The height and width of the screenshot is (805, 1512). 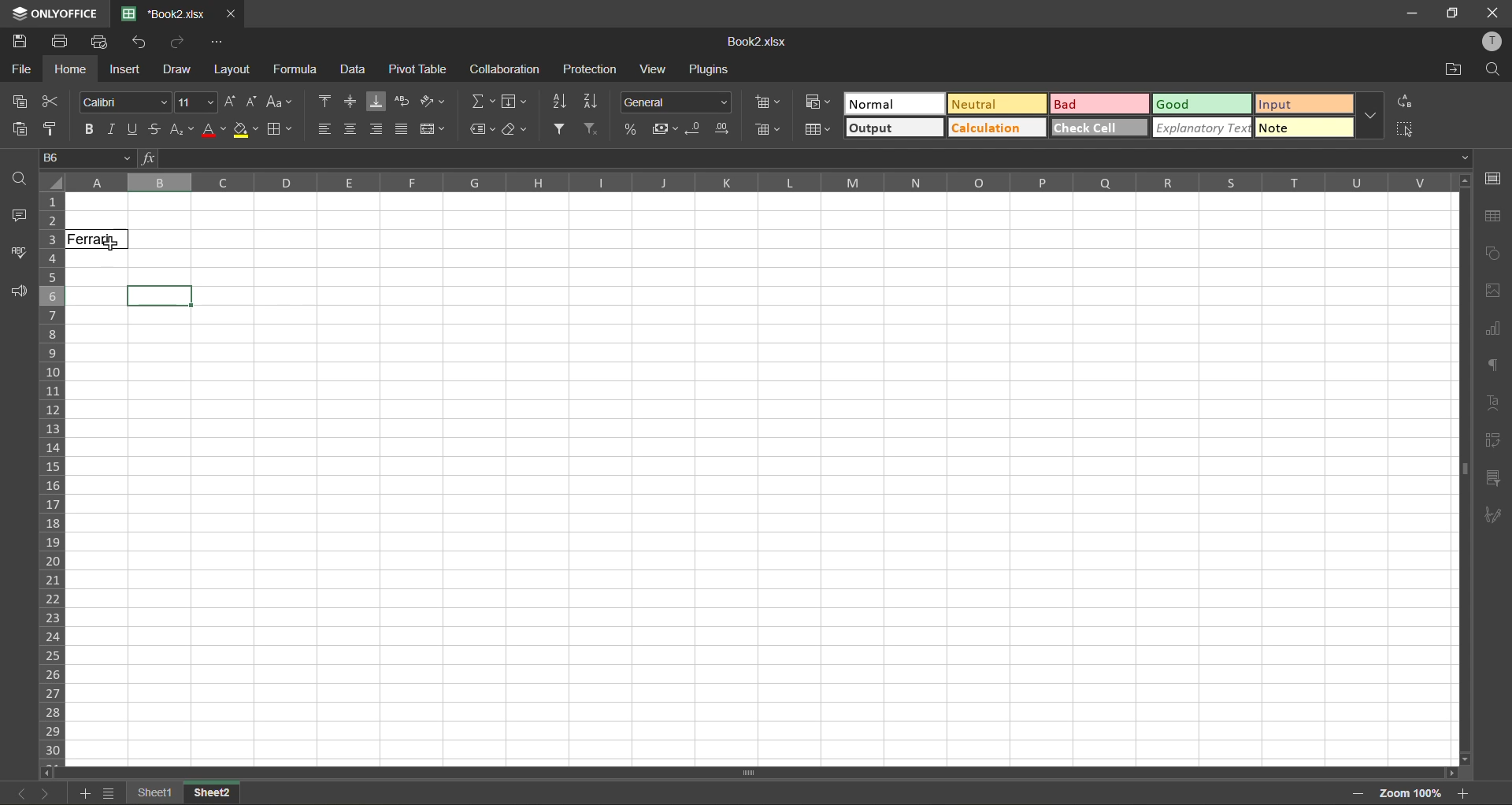 What do you see at coordinates (1462, 793) in the screenshot?
I see `zoom in` at bounding box center [1462, 793].